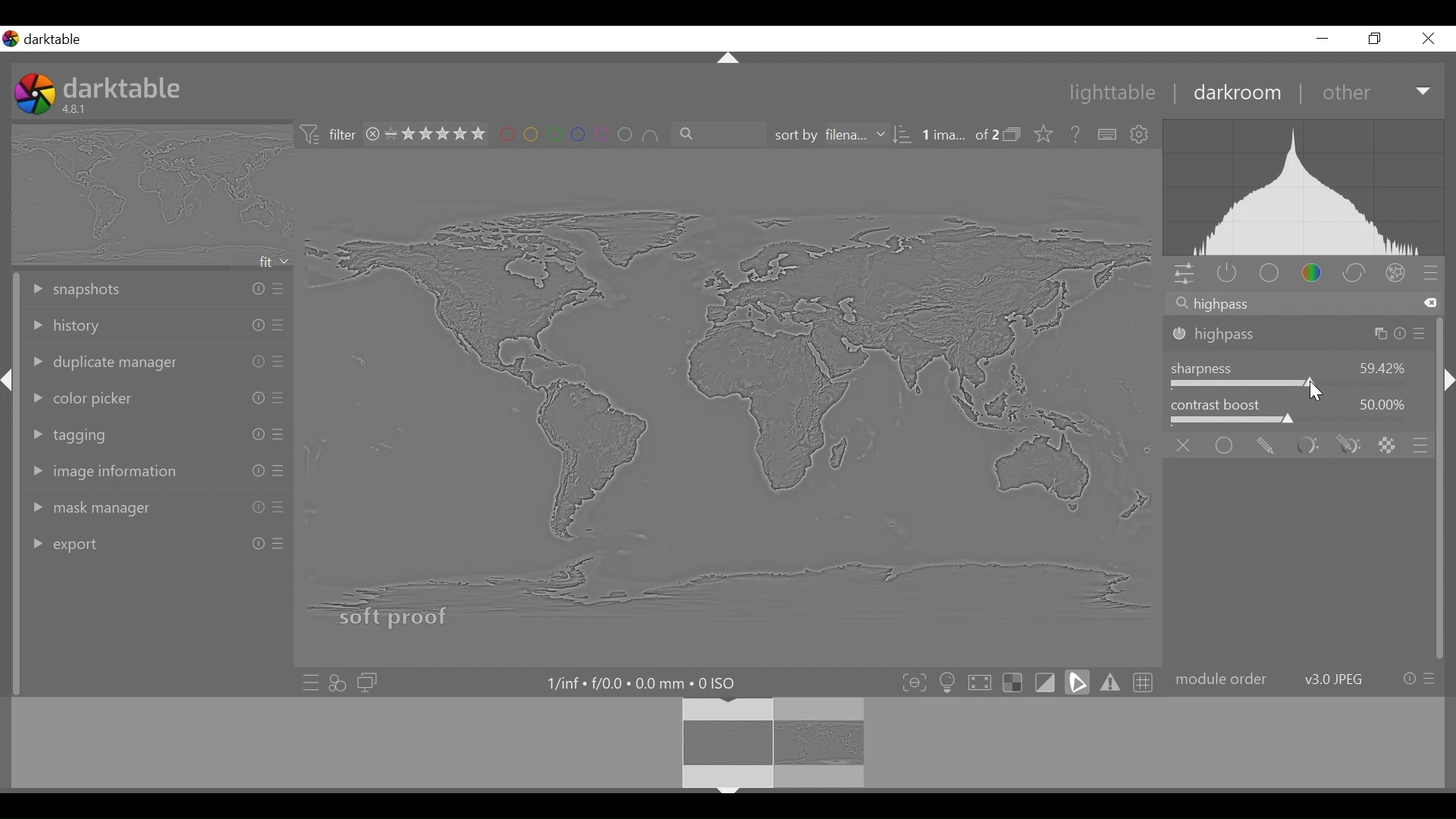 The image size is (1456, 819). Describe the element at coordinates (1181, 303) in the screenshot. I see `Search icon` at that location.